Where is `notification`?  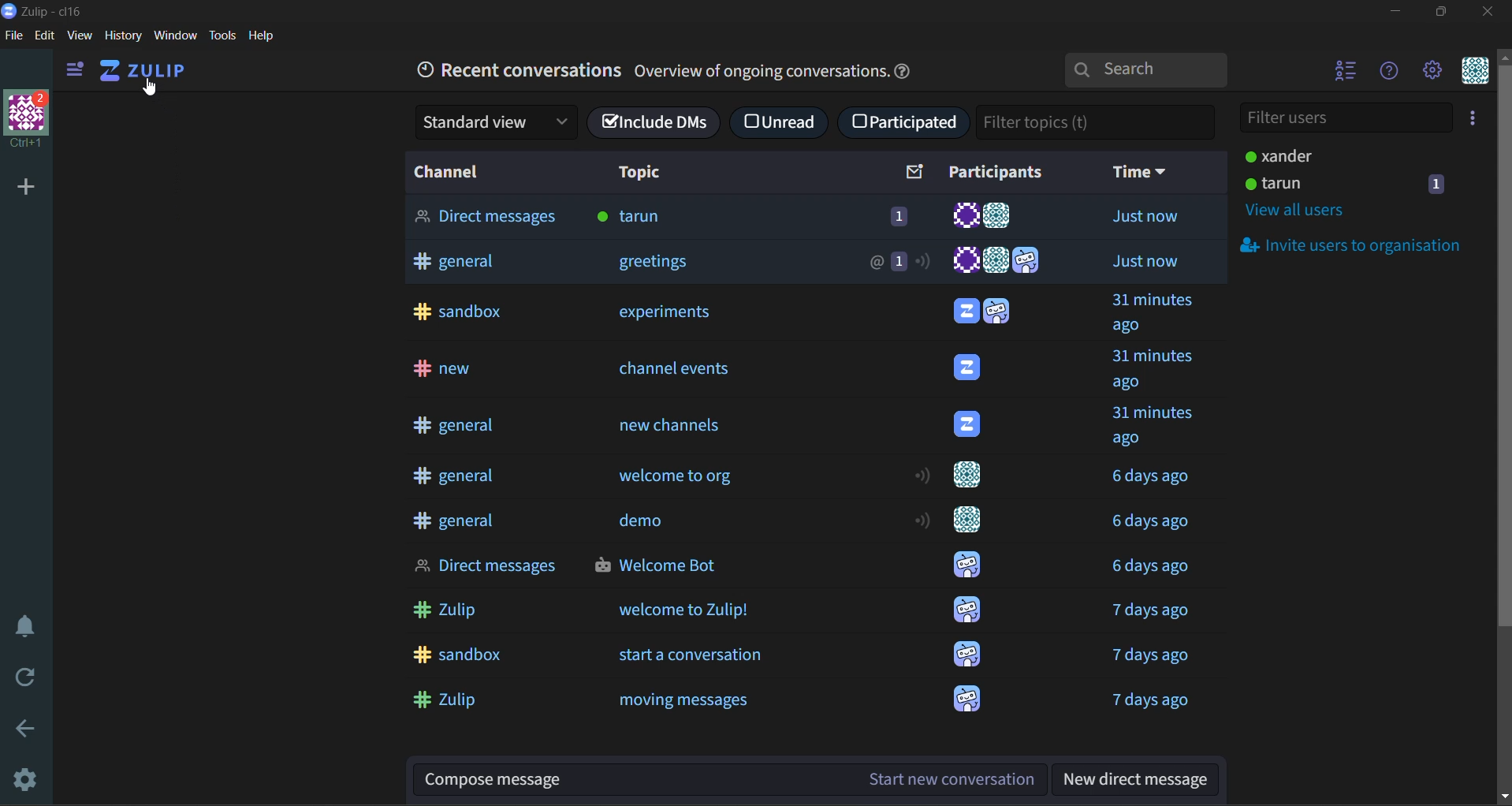
notification is located at coordinates (920, 502).